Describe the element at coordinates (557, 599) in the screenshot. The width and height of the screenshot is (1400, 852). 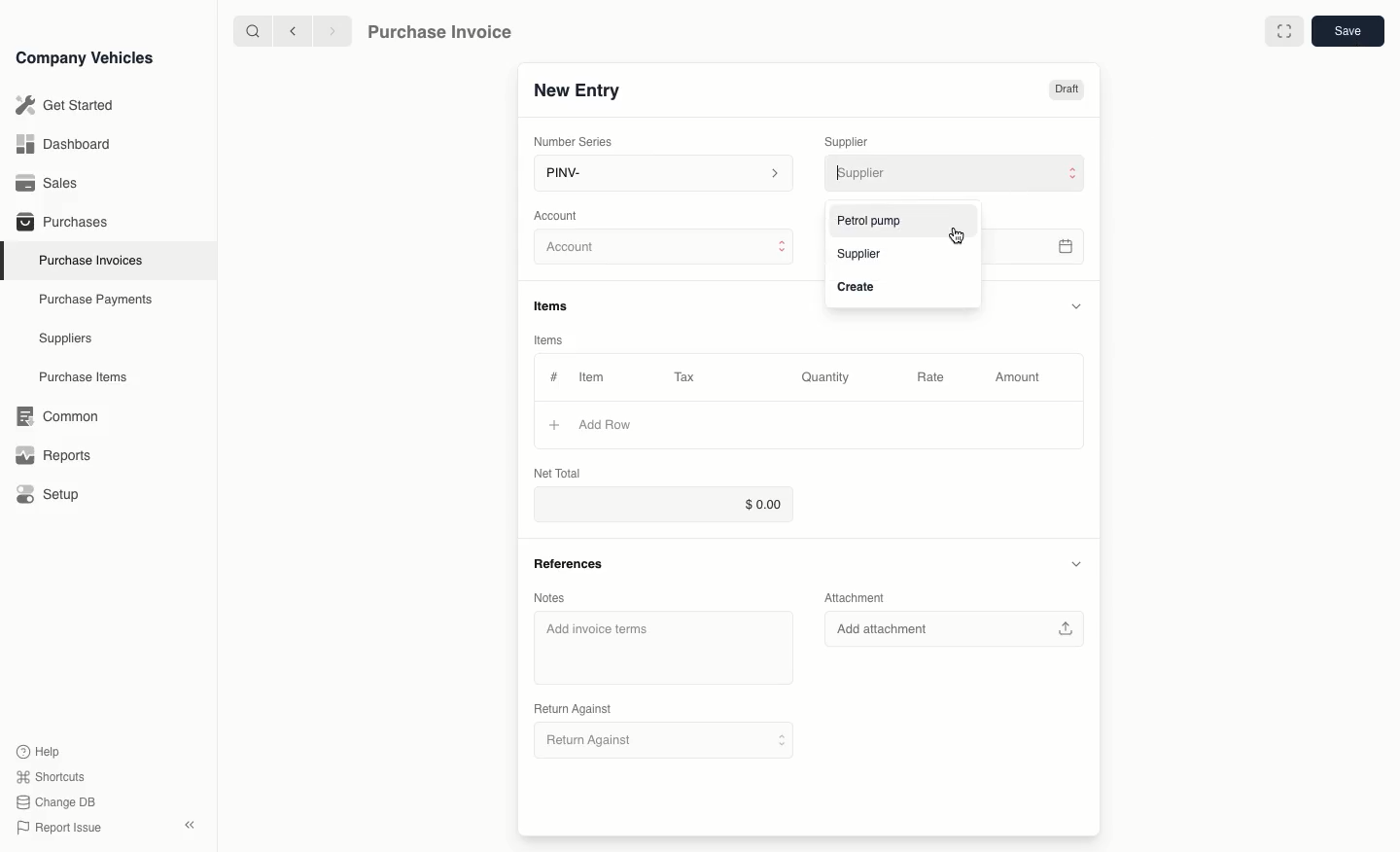
I see `Notes.` at that location.